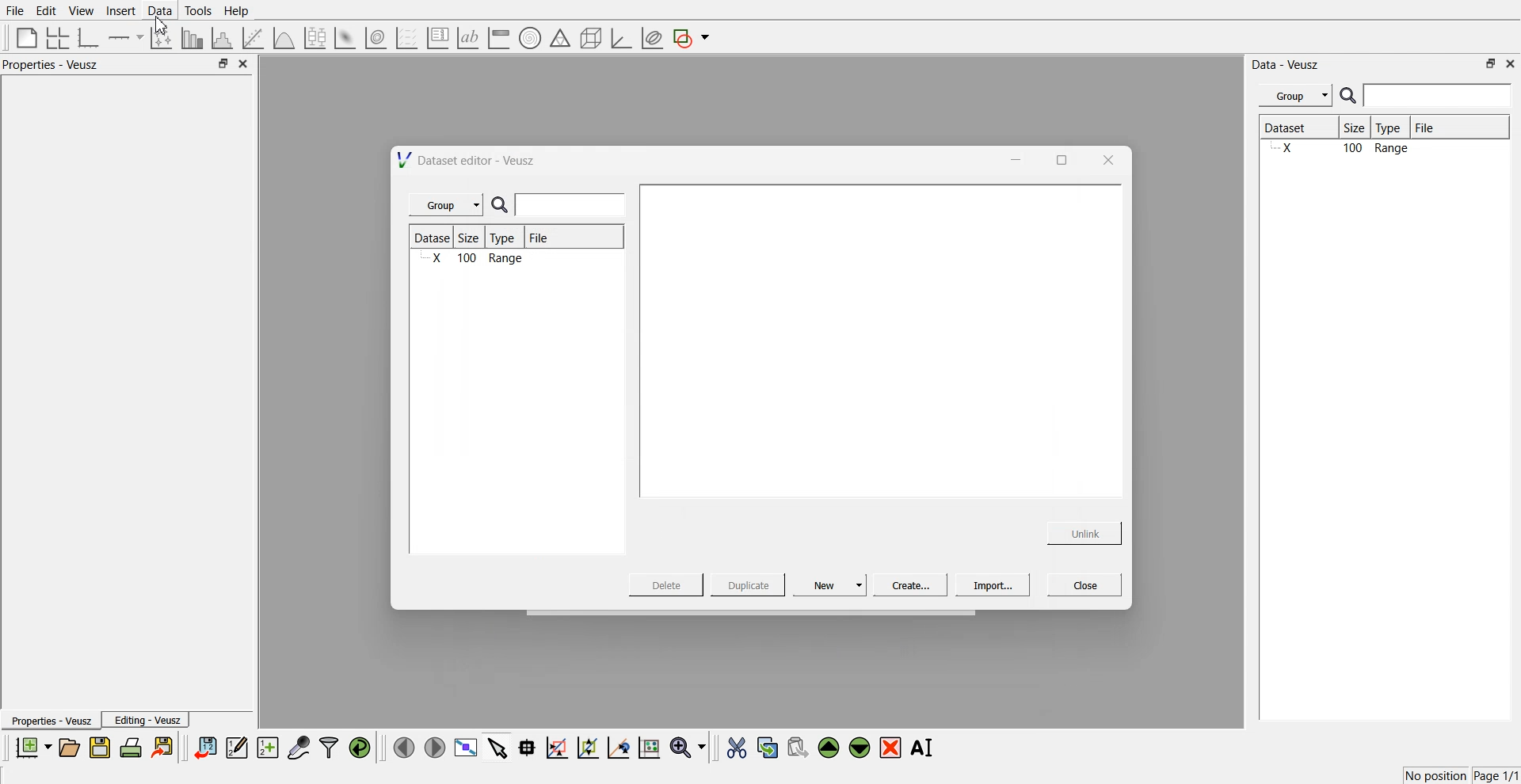 Image resolution: width=1521 pixels, height=784 pixels. Describe the element at coordinates (47, 10) in the screenshot. I see `Edit` at that location.